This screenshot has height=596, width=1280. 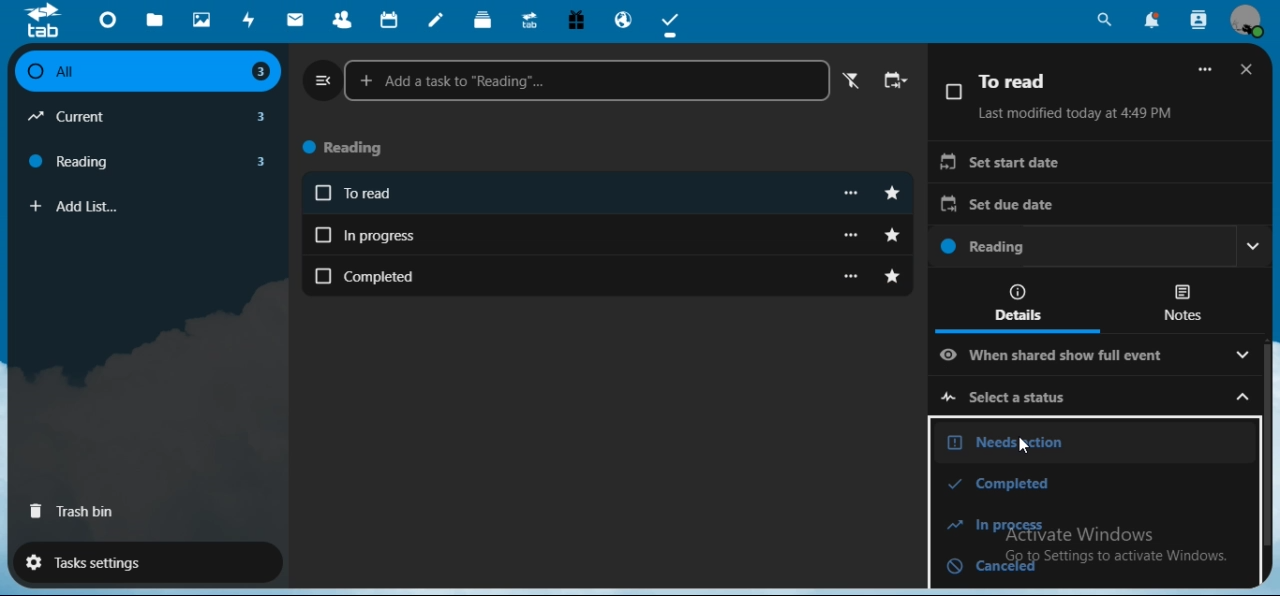 I want to click on Drop down, so click(x=1245, y=396).